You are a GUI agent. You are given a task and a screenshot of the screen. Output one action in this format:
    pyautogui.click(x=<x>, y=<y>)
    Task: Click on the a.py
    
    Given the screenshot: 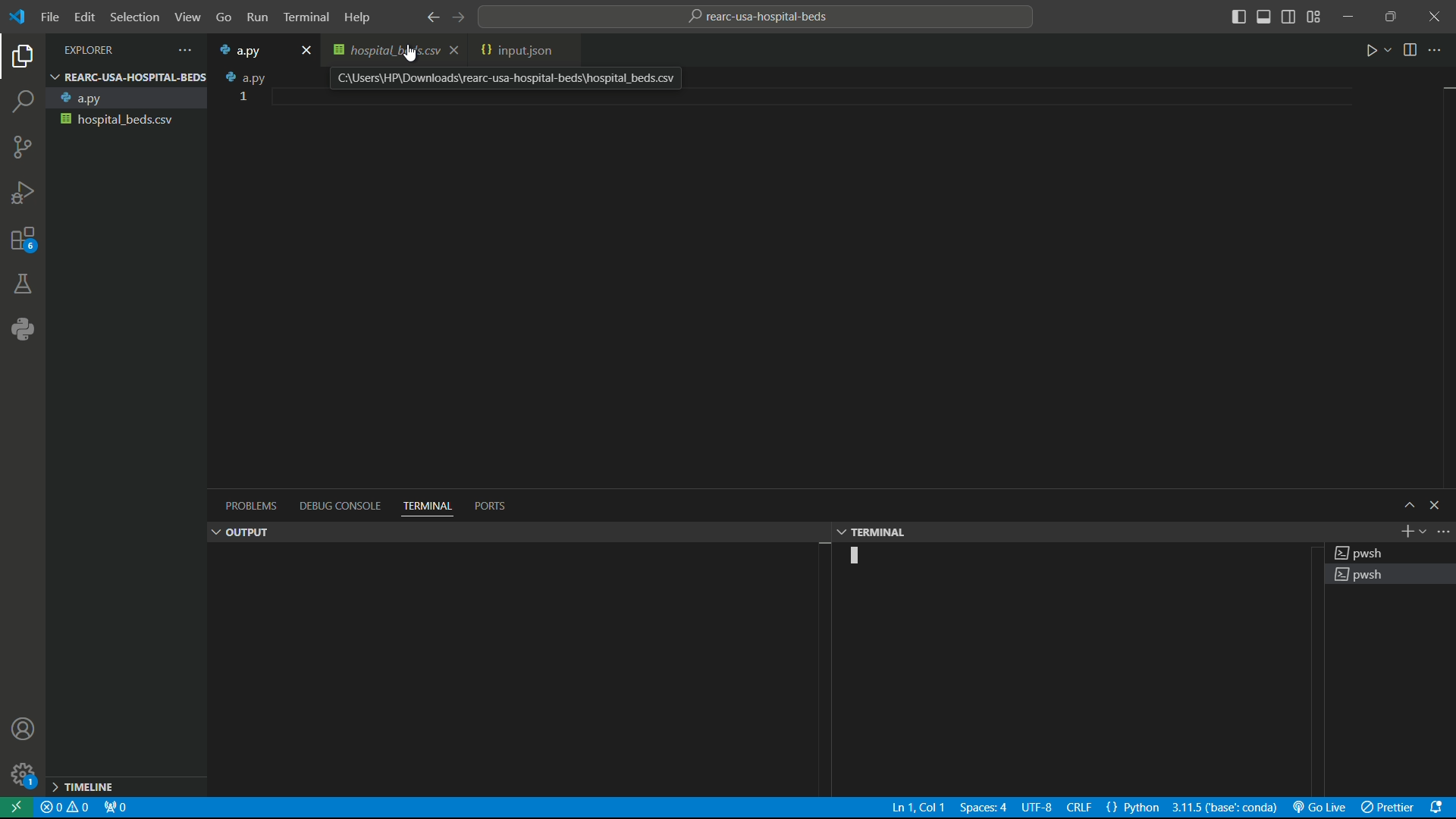 What is the action you would take?
    pyautogui.click(x=245, y=49)
    